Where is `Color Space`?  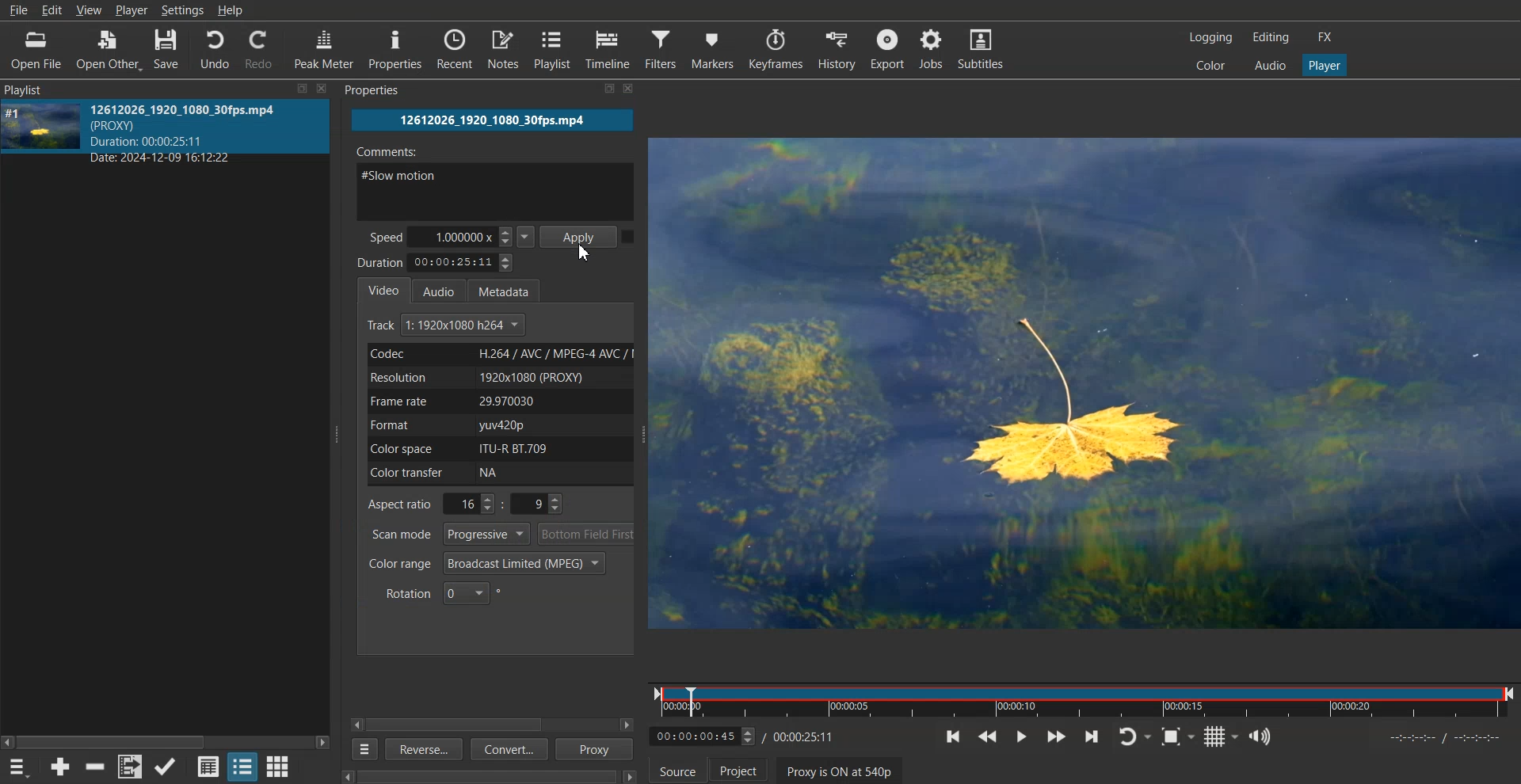
Color Space is located at coordinates (496, 448).